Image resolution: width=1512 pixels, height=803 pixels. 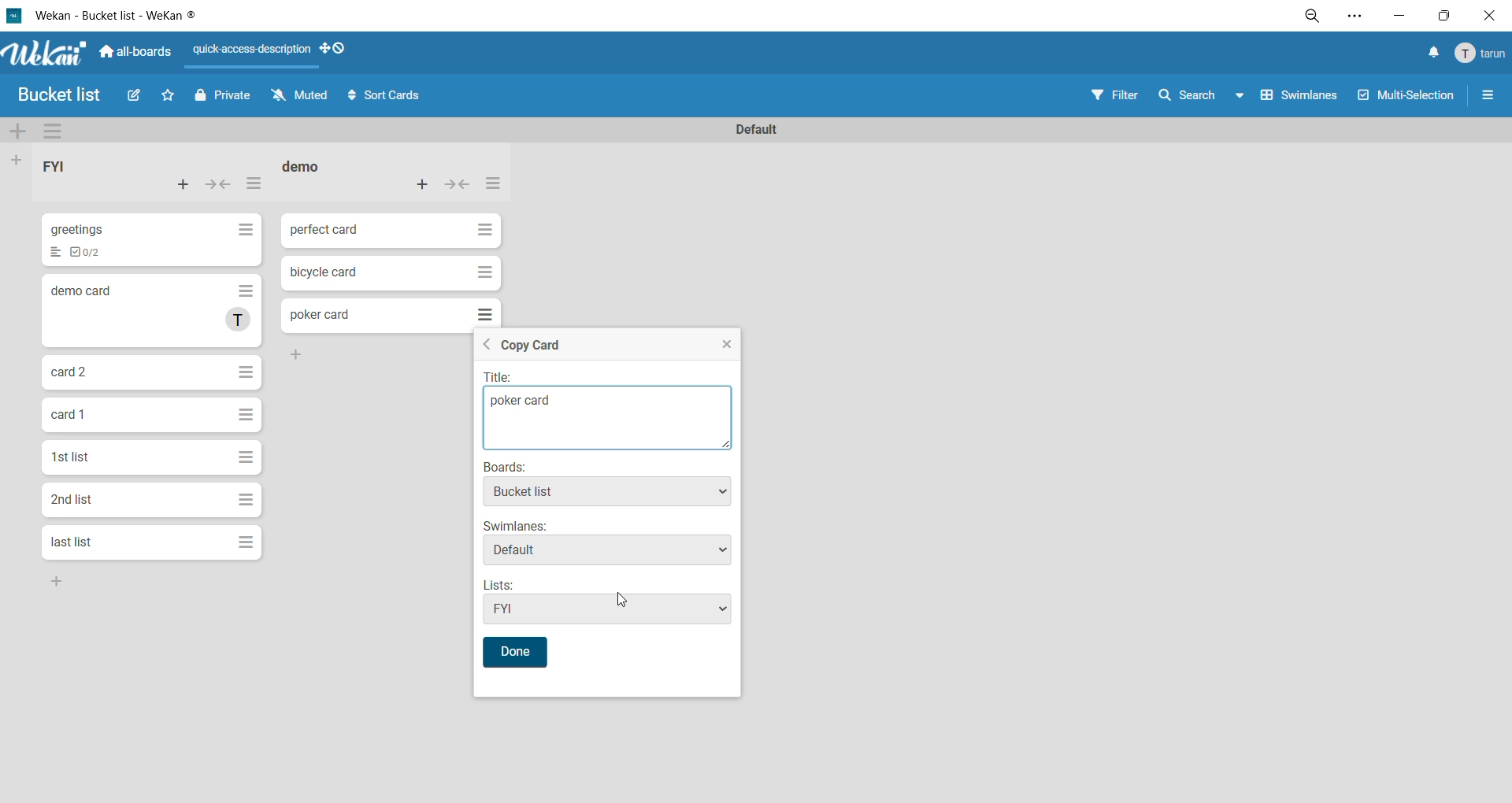 What do you see at coordinates (385, 96) in the screenshot?
I see `sort cards` at bounding box center [385, 96].